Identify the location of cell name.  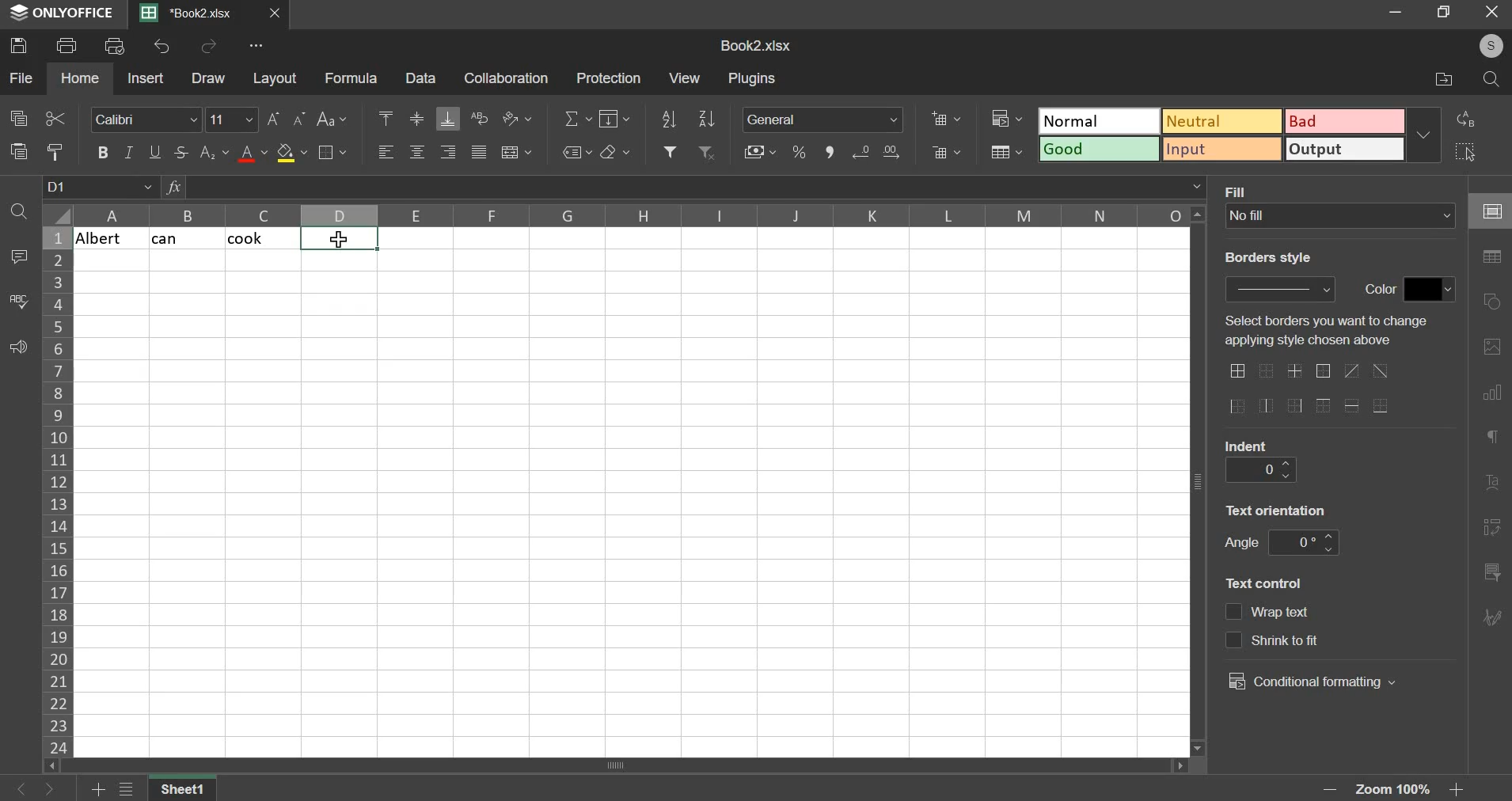
(101, 188).